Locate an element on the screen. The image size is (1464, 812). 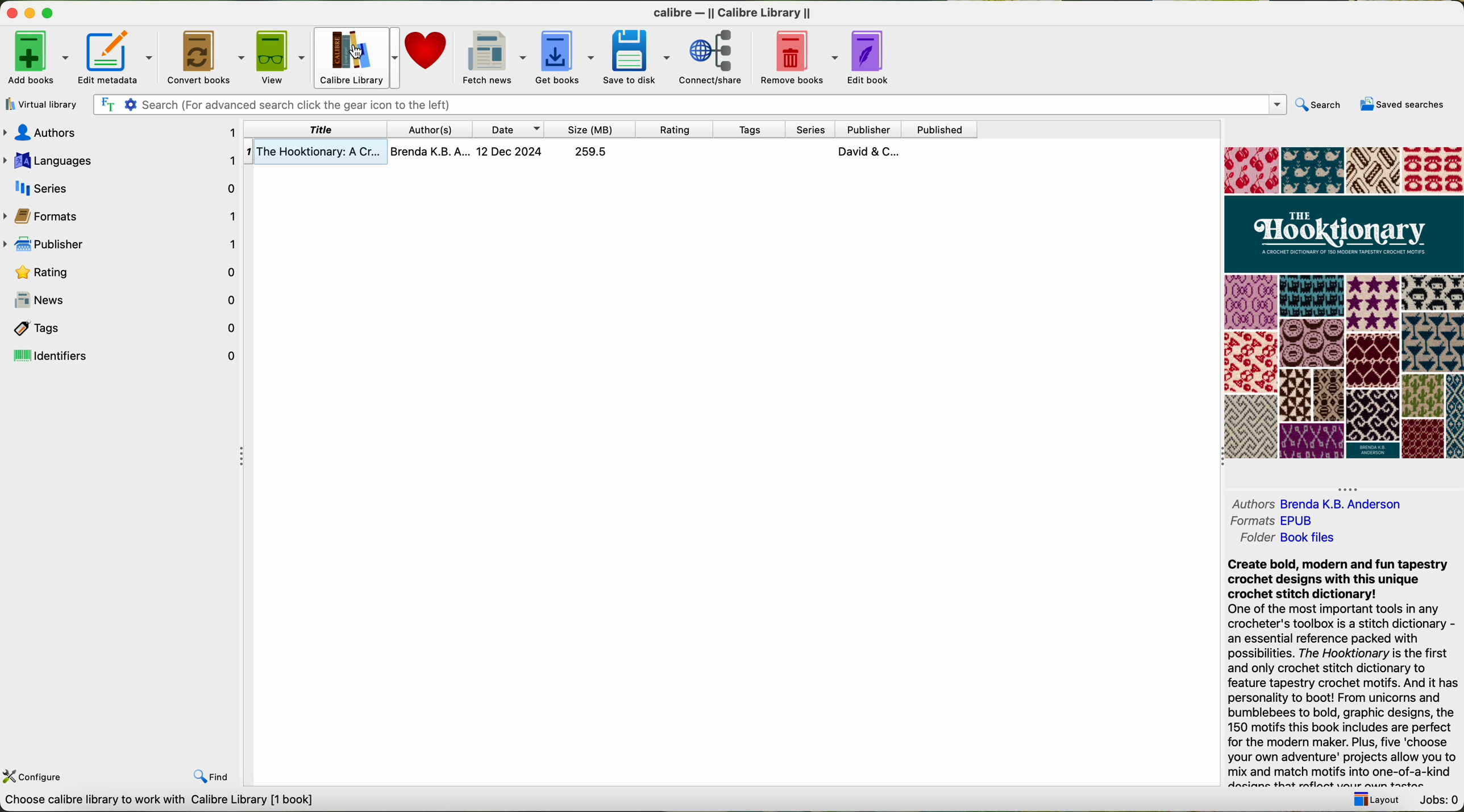
Find the text is located at coordinates (106, 103).